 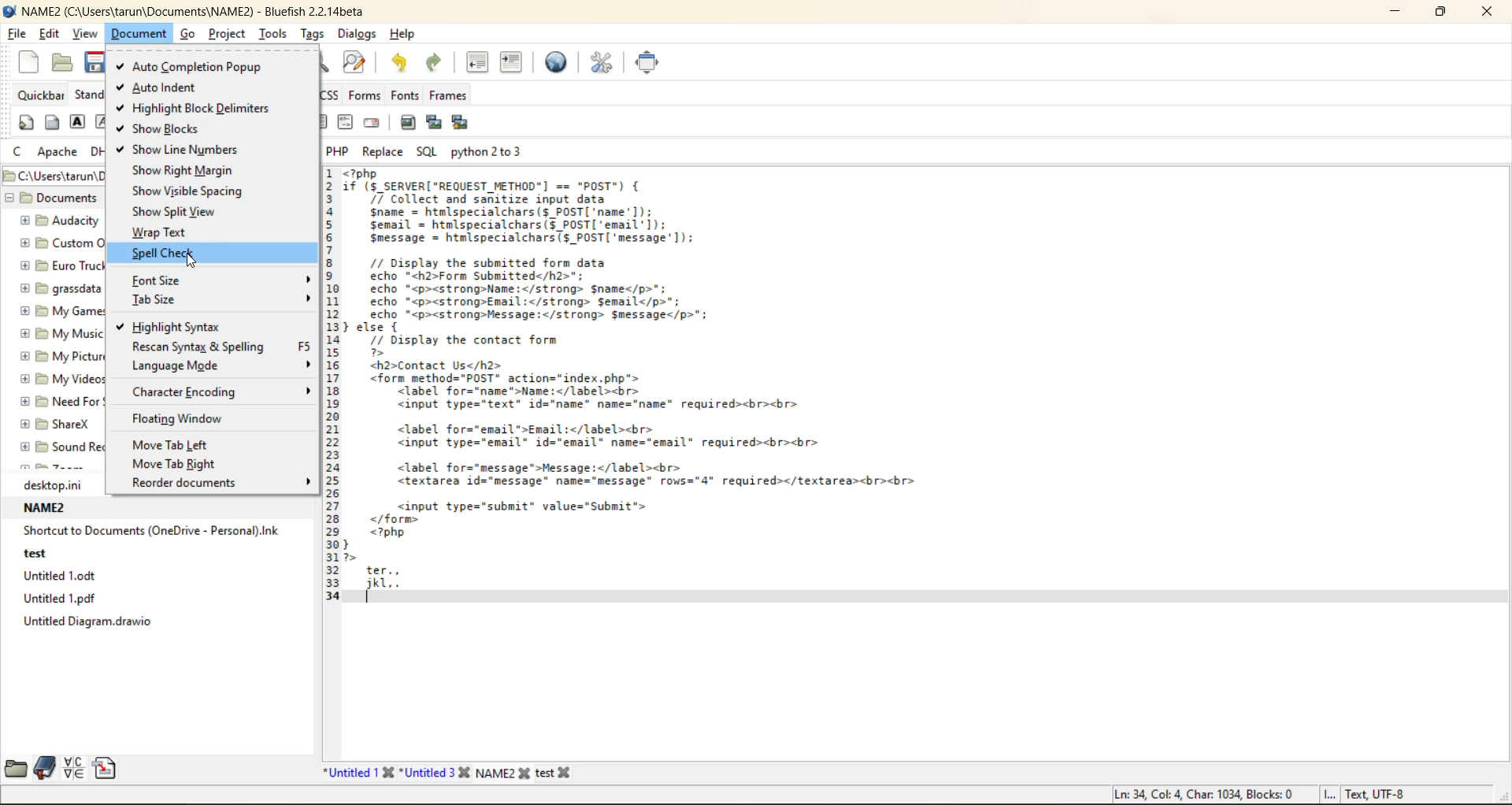 I want to click on spell check, so click(x=171, y=254).